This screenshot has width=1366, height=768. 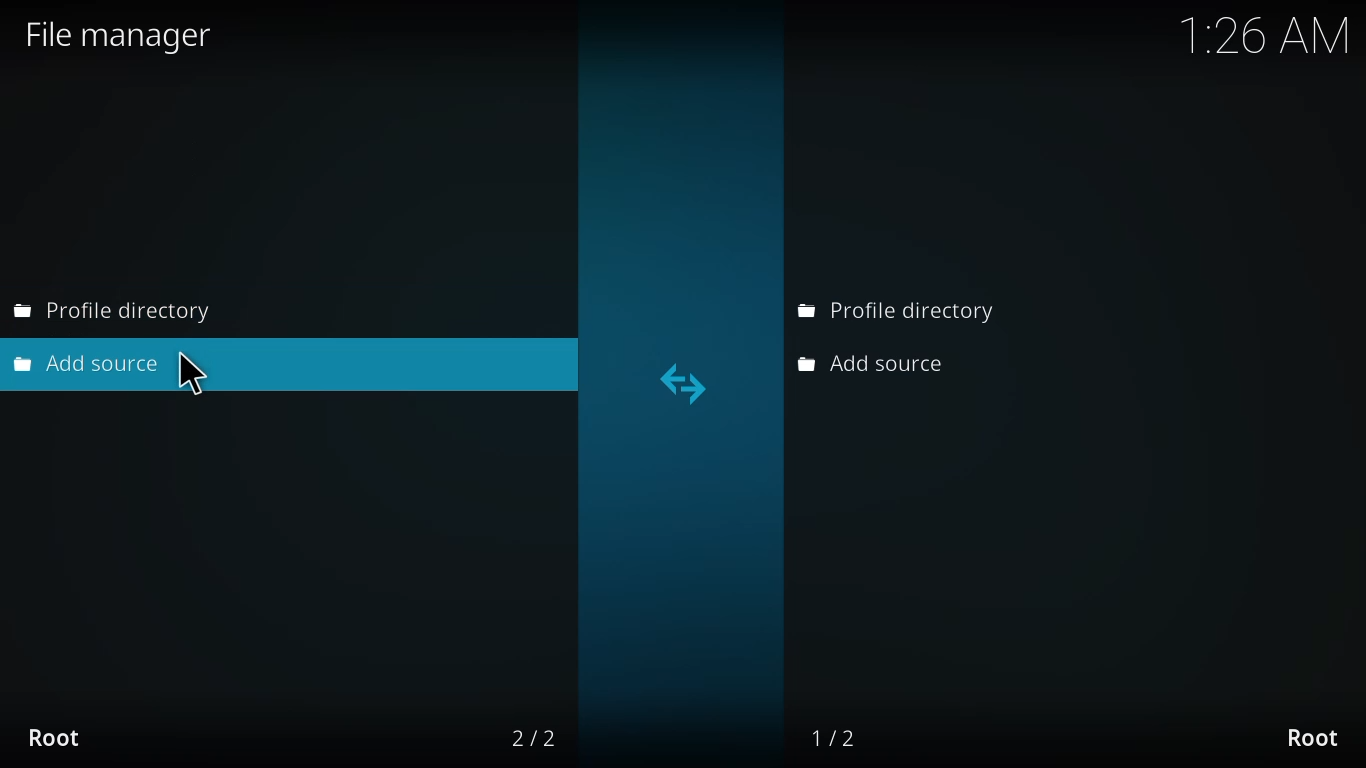 What do you see at coordinates (113, 312) in the screenshot?
I see `profile directory` at bounding box center [113, 312].